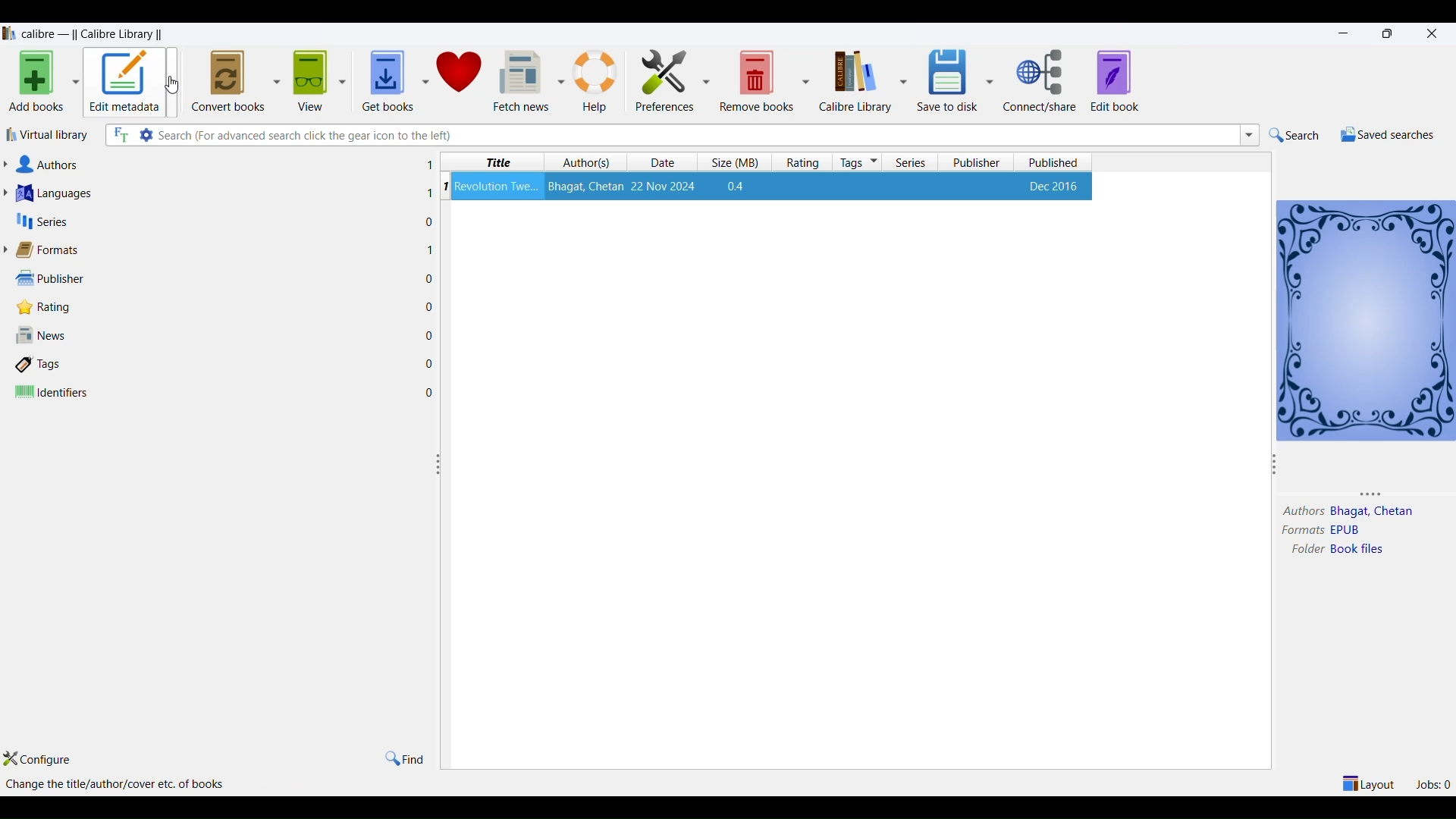 The image size is (1456, 819). Describe the element at coordinates (1360, 495) in the screenshot. I see `resize` at that location.